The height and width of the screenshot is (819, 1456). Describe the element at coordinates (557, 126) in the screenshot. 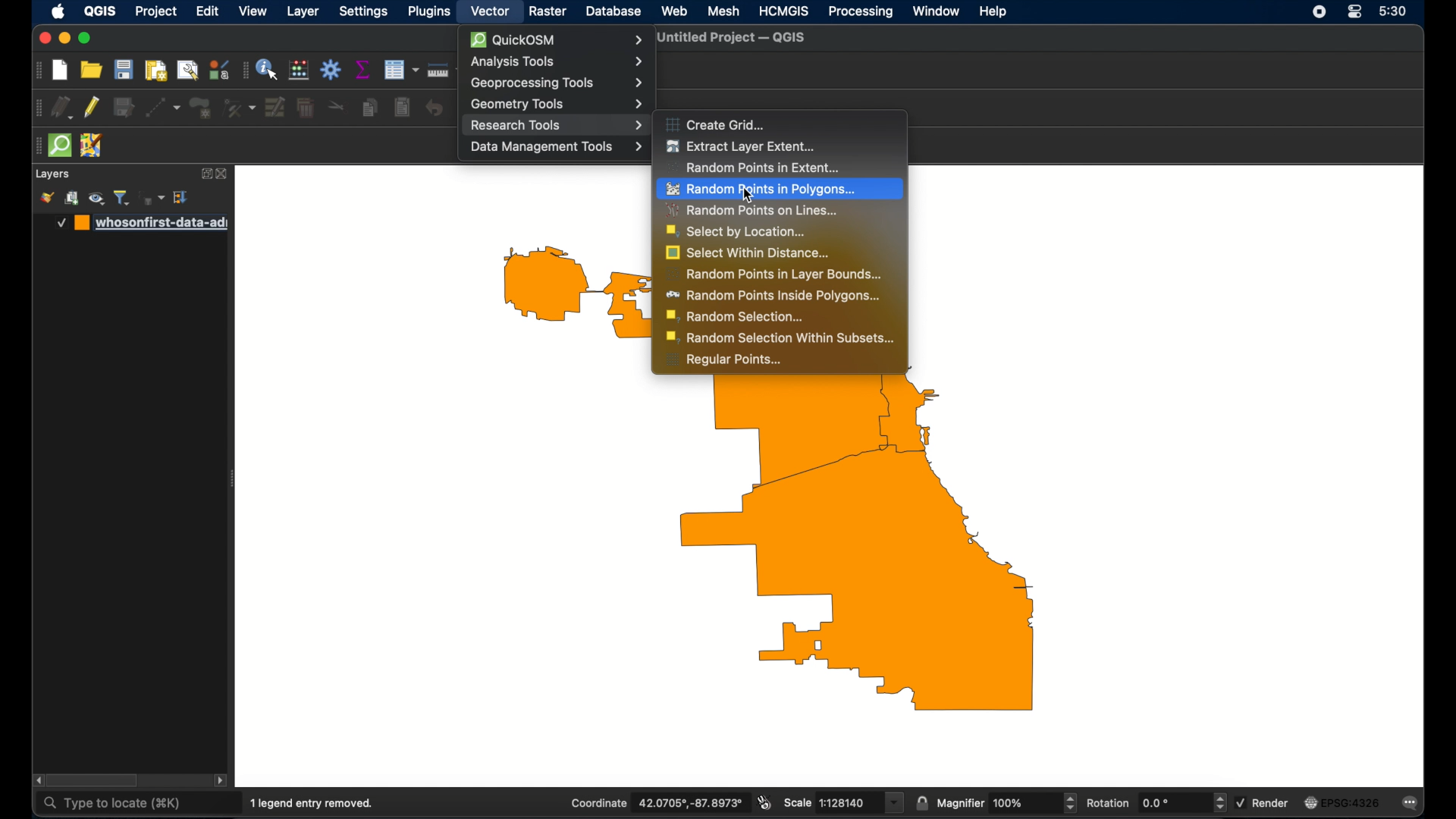

I see `research tools menu highlighted` at that location.